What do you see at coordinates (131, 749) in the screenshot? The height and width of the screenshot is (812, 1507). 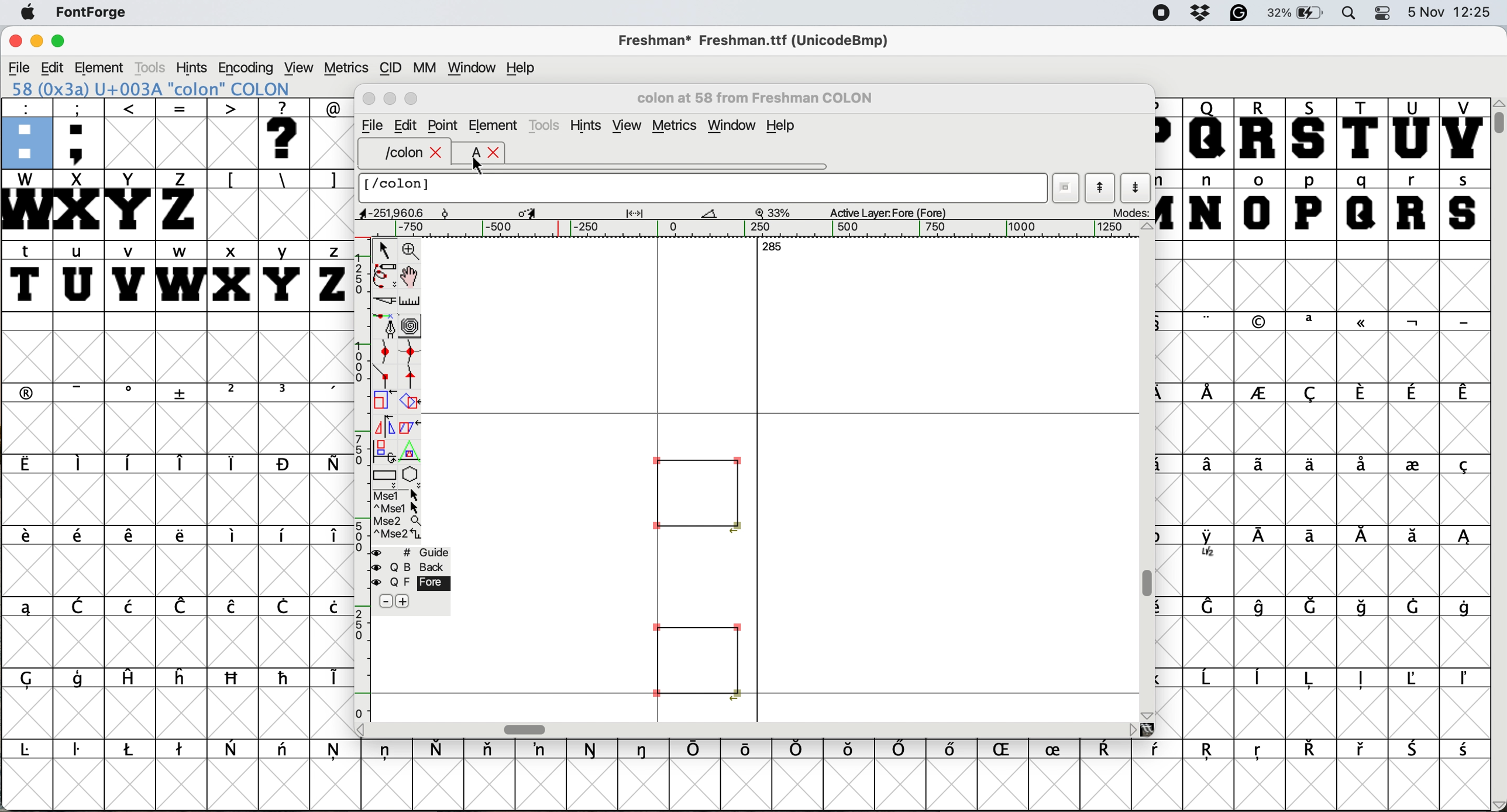 I see `symbol` at bounding box center [131, 749].